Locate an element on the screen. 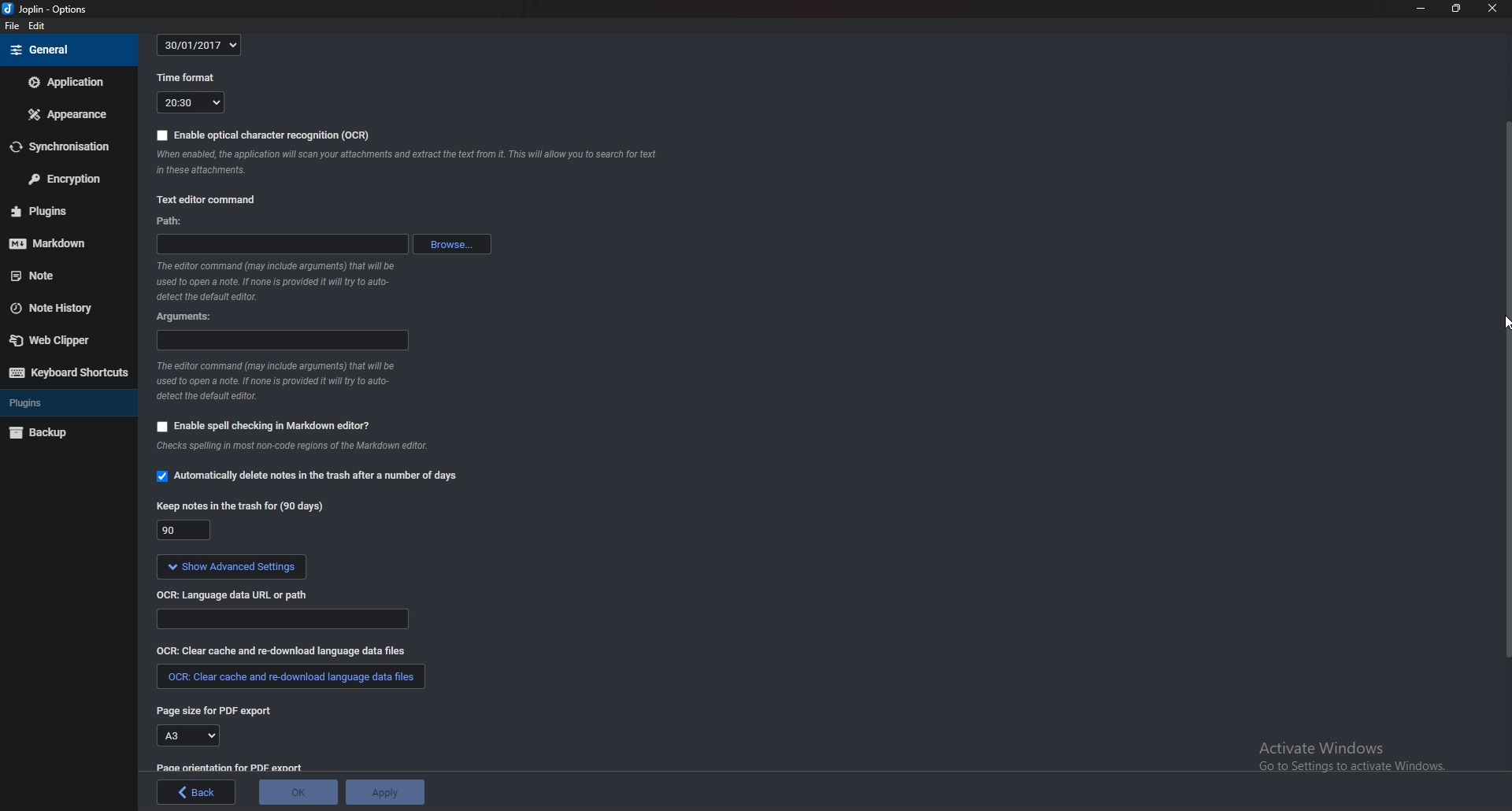 The height and width of the screenshot is (811, 1512). Minimize is located at coordinates (1421, 9).